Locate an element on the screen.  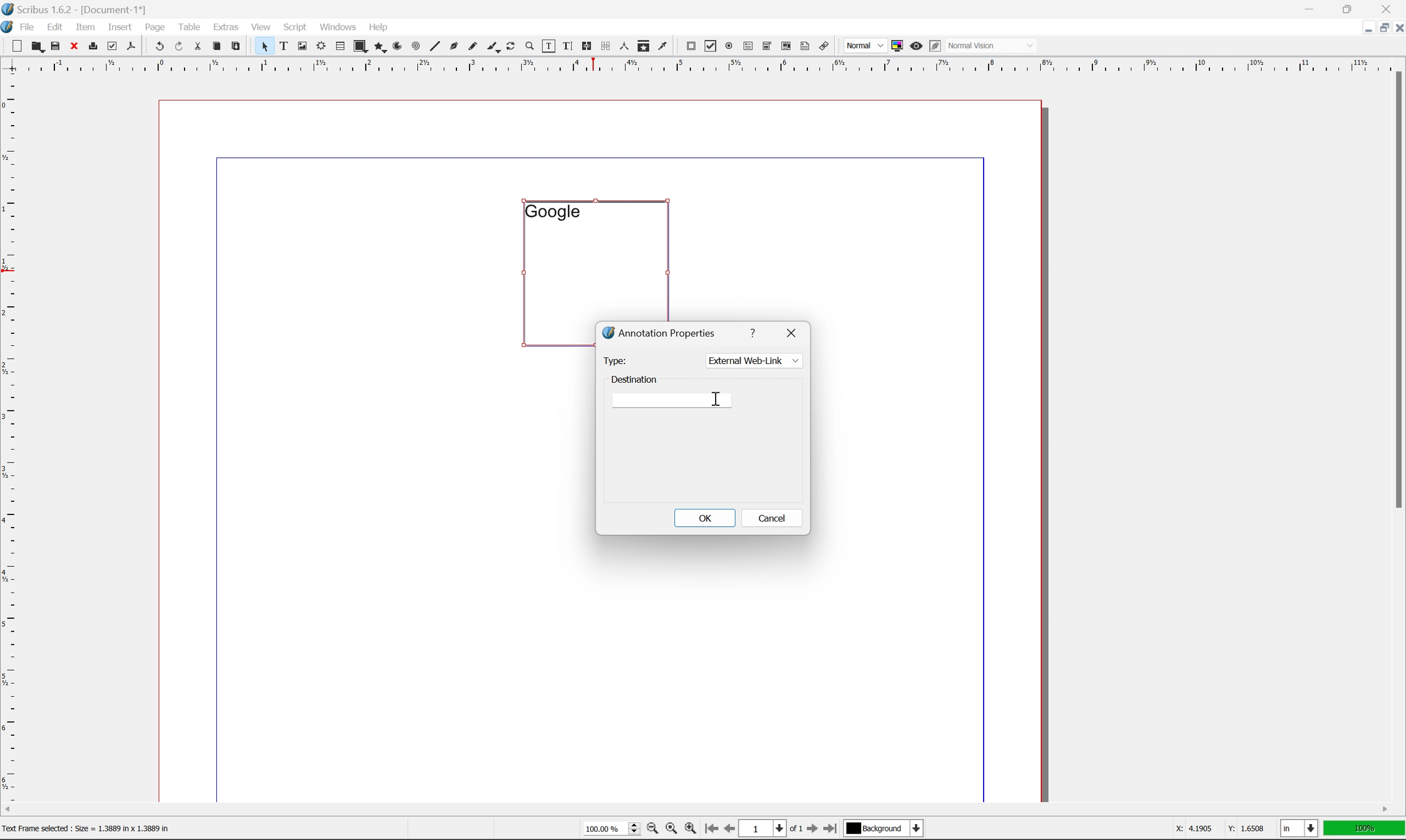
item is located at coordinates (88, 25).